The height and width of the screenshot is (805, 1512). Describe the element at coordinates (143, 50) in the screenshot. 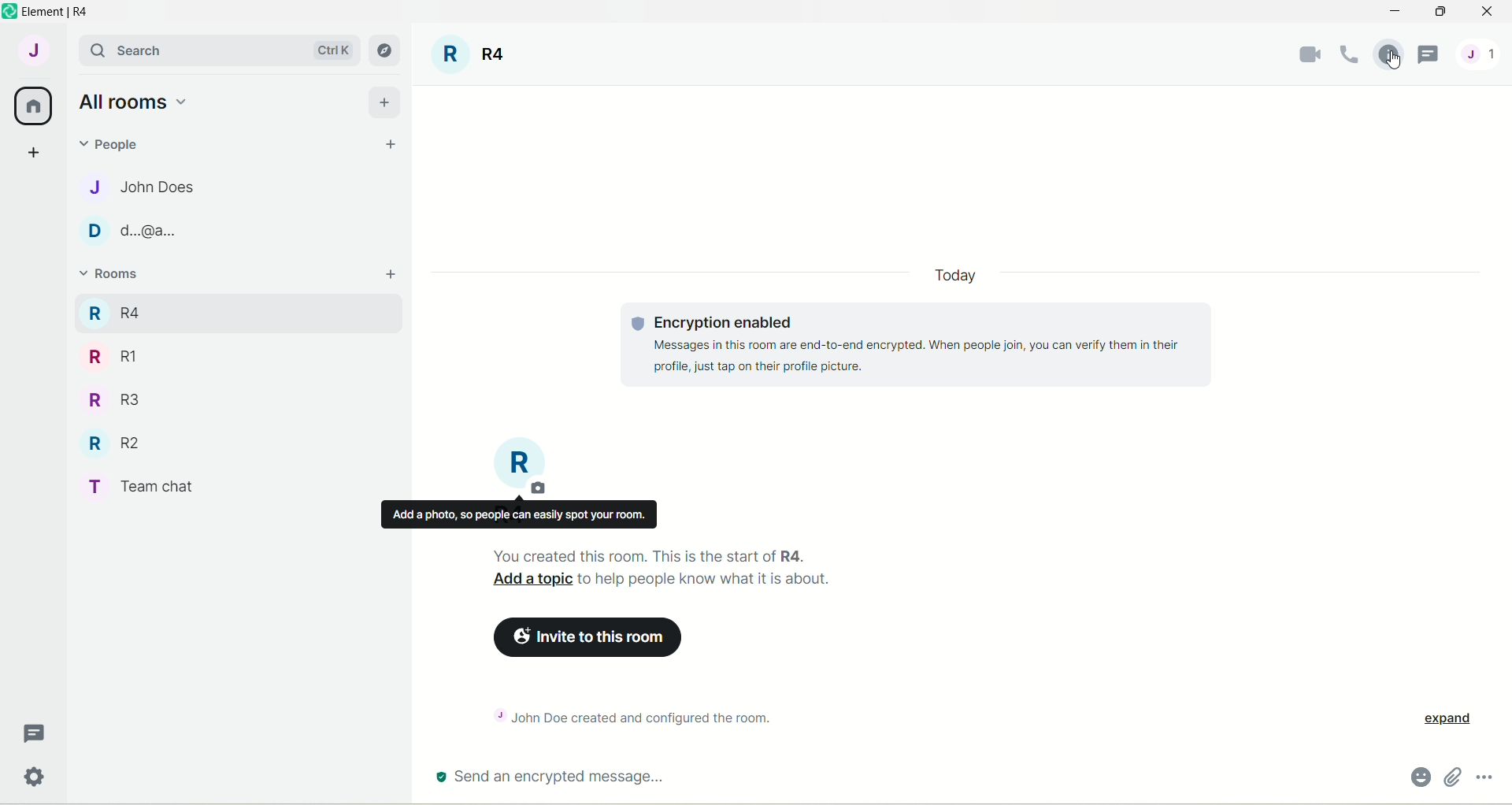

I see `search` at that location.